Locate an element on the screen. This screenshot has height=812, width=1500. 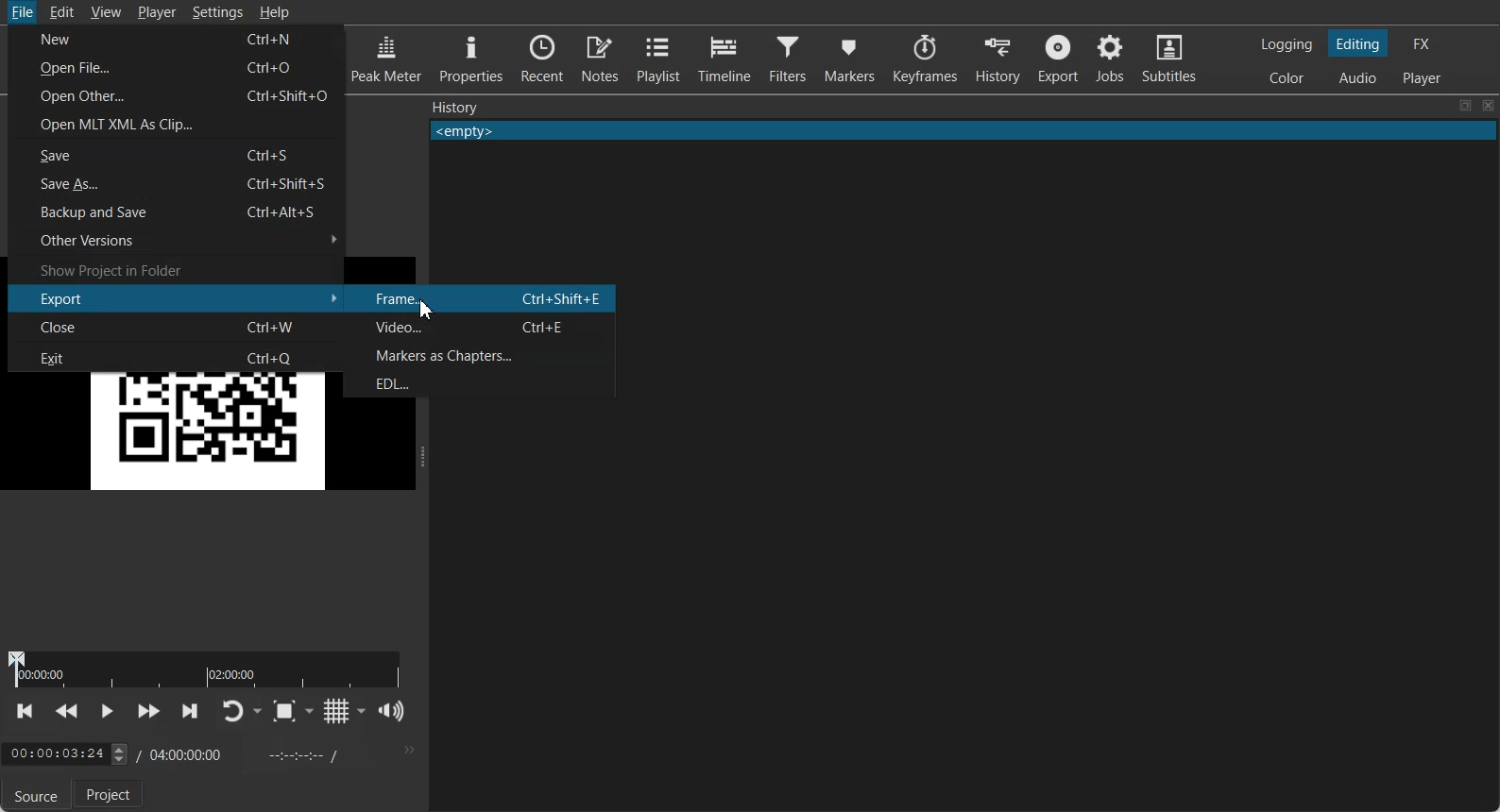
Backup and Save is located at coordinates (104, 212).